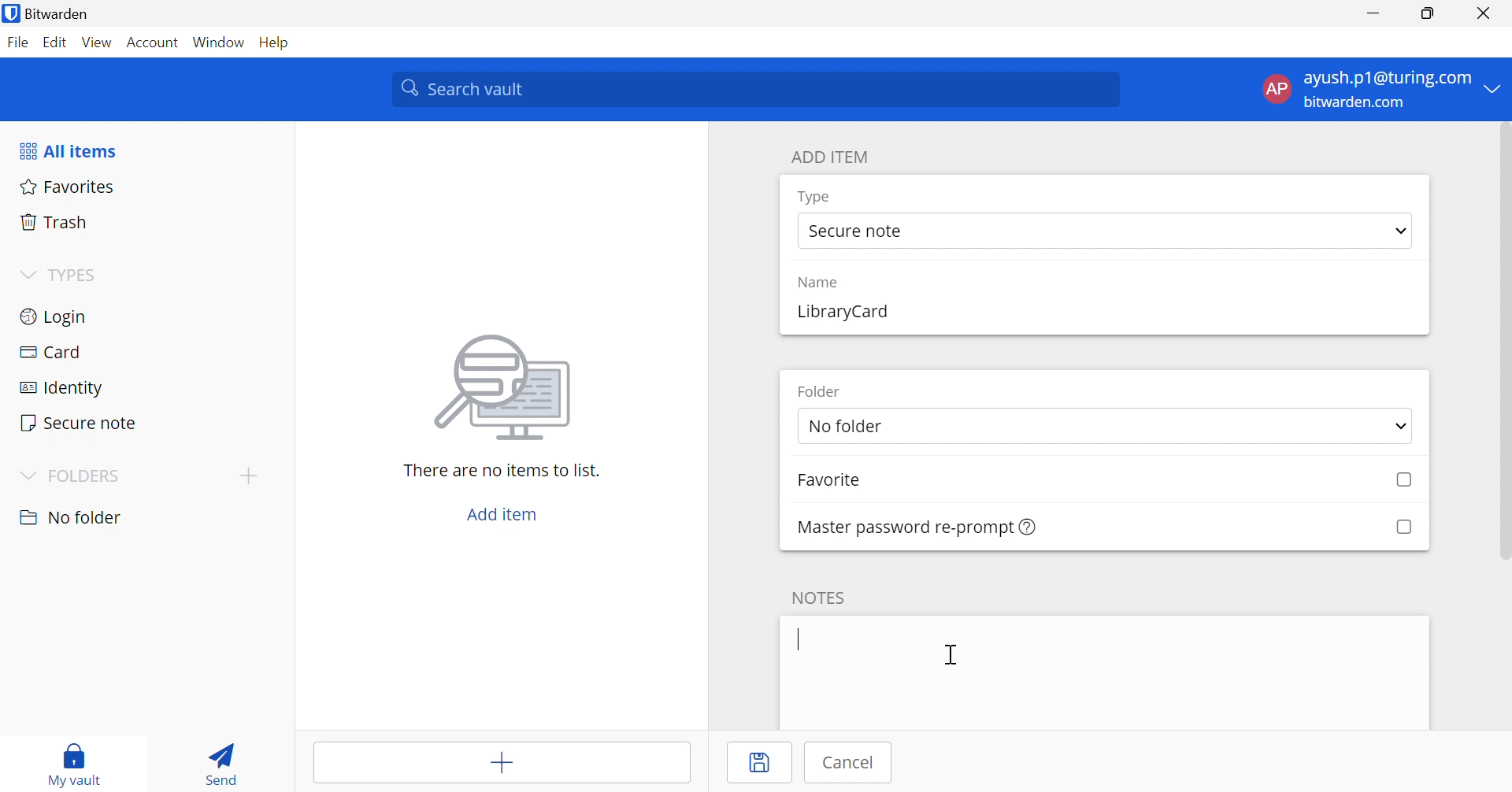  I want to click on Bitwarden, so click(50, 13).